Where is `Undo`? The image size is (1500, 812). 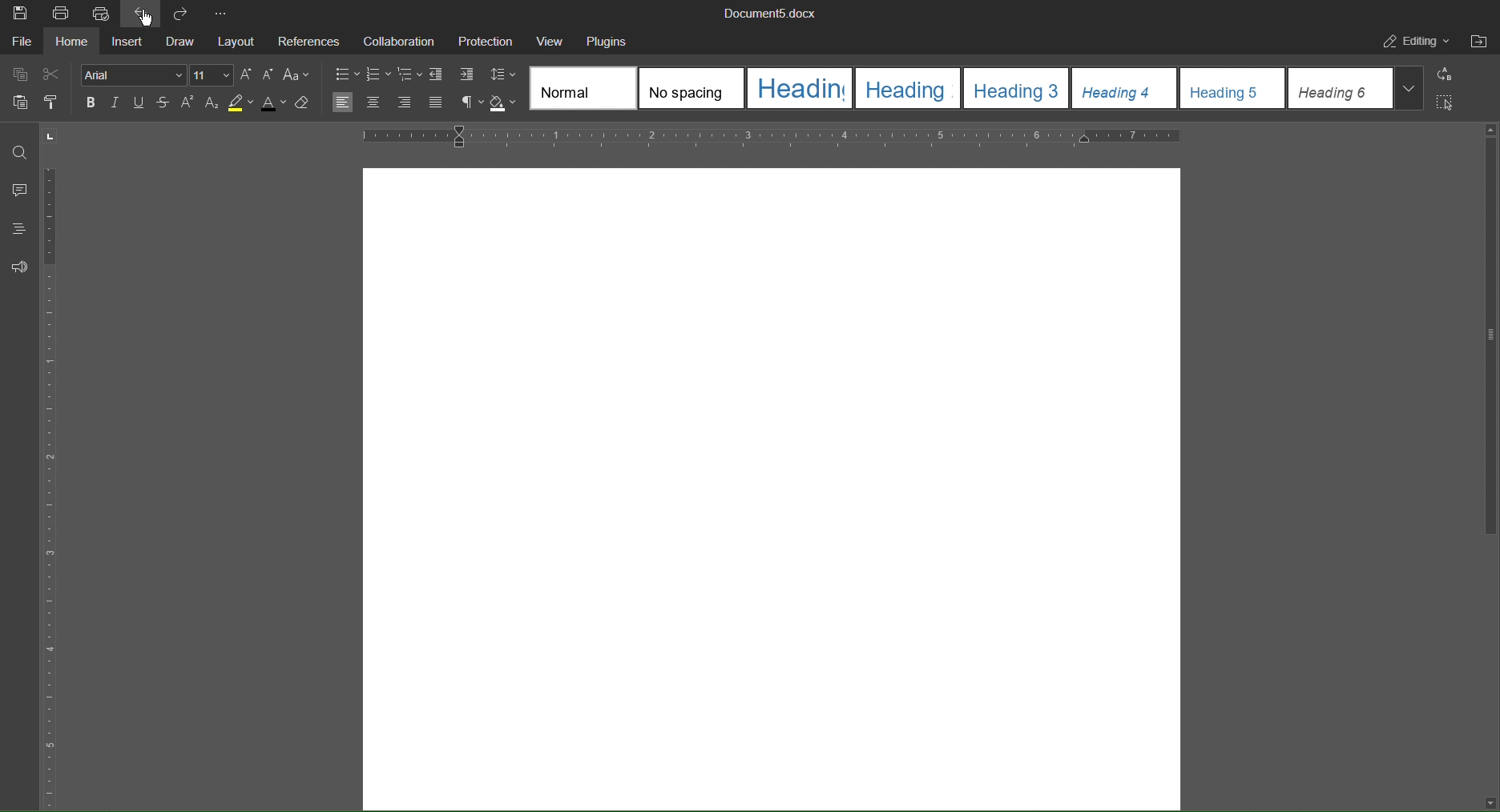
Undo is located at coordinates (142, 13).